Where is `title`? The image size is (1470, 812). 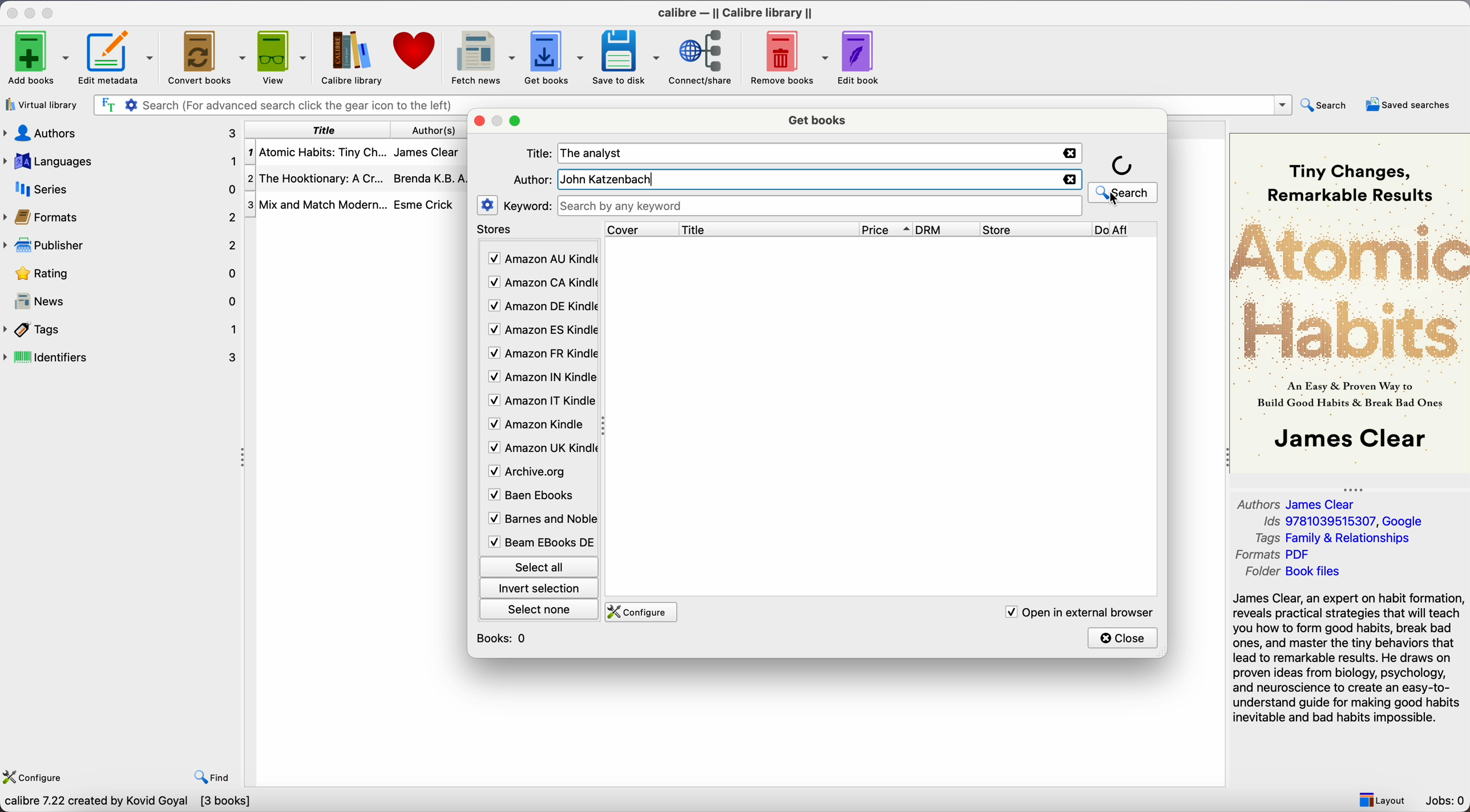 title is located at coordinates (324, 130).